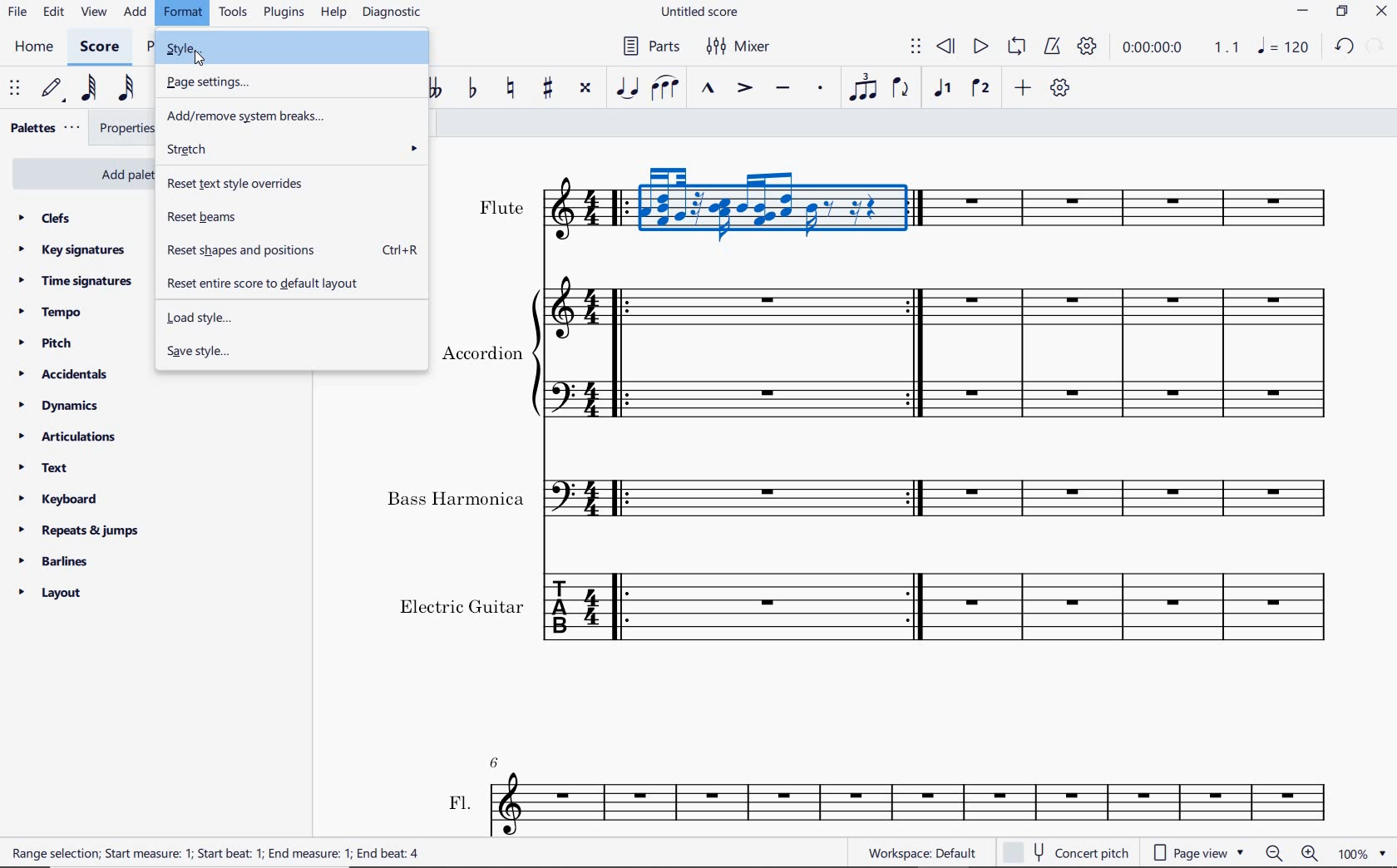  What do you see at coordinates (43, 468) in the screenshot?
I see `text` at bounding box center [43, 468].